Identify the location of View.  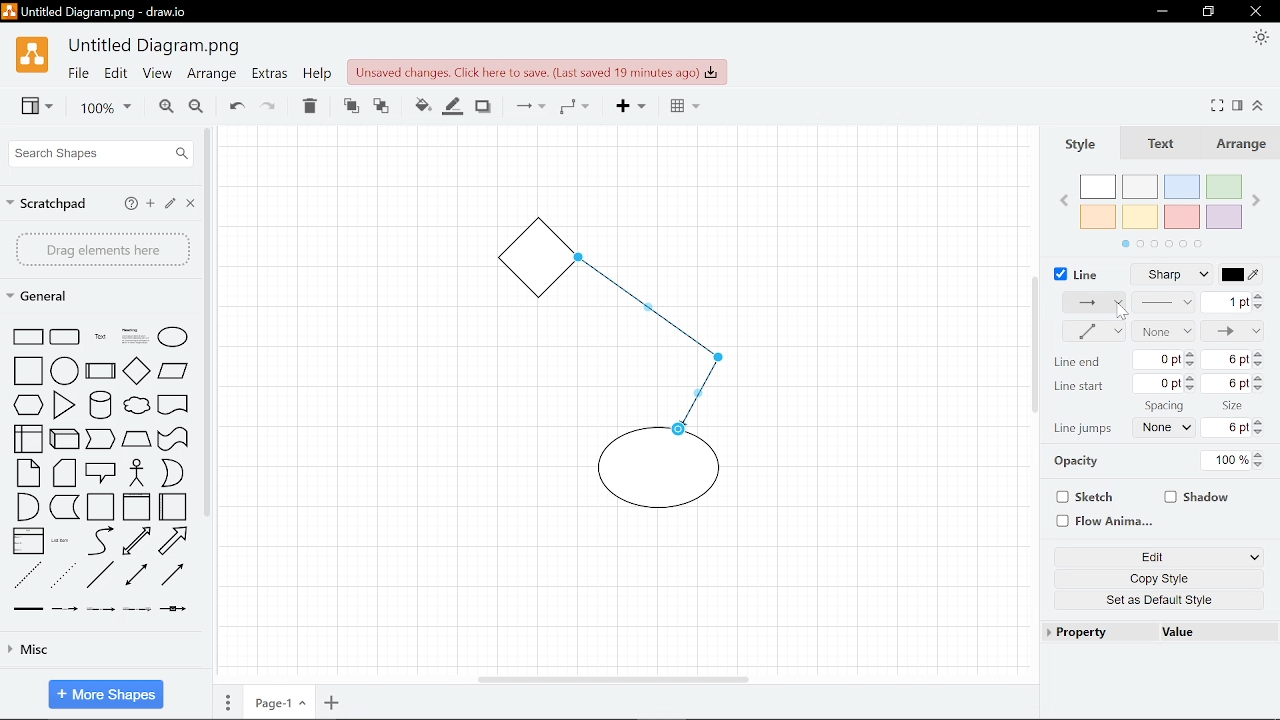
(30, 108).